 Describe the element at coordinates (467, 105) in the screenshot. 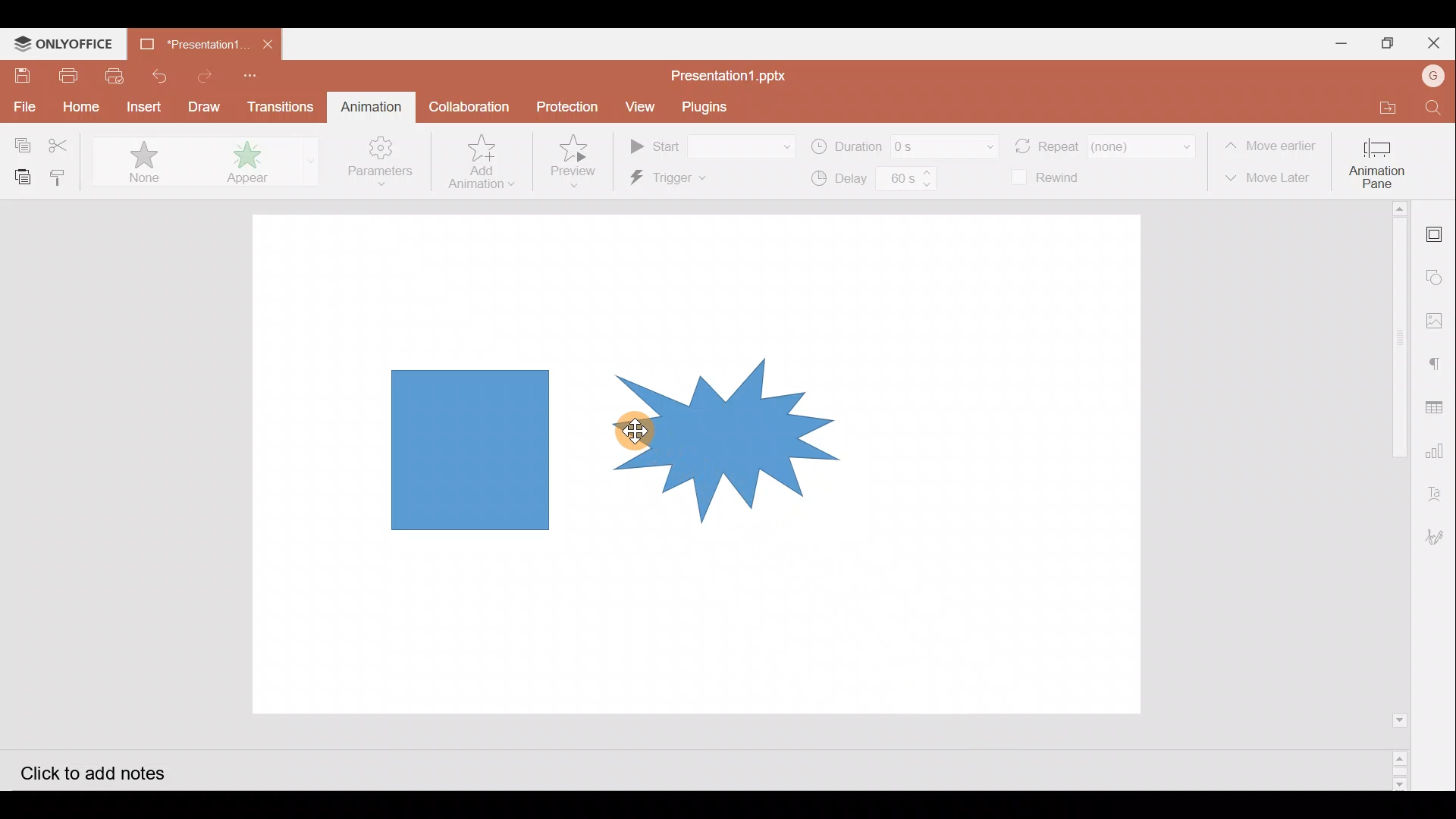

I see `Collaboration` at that location.